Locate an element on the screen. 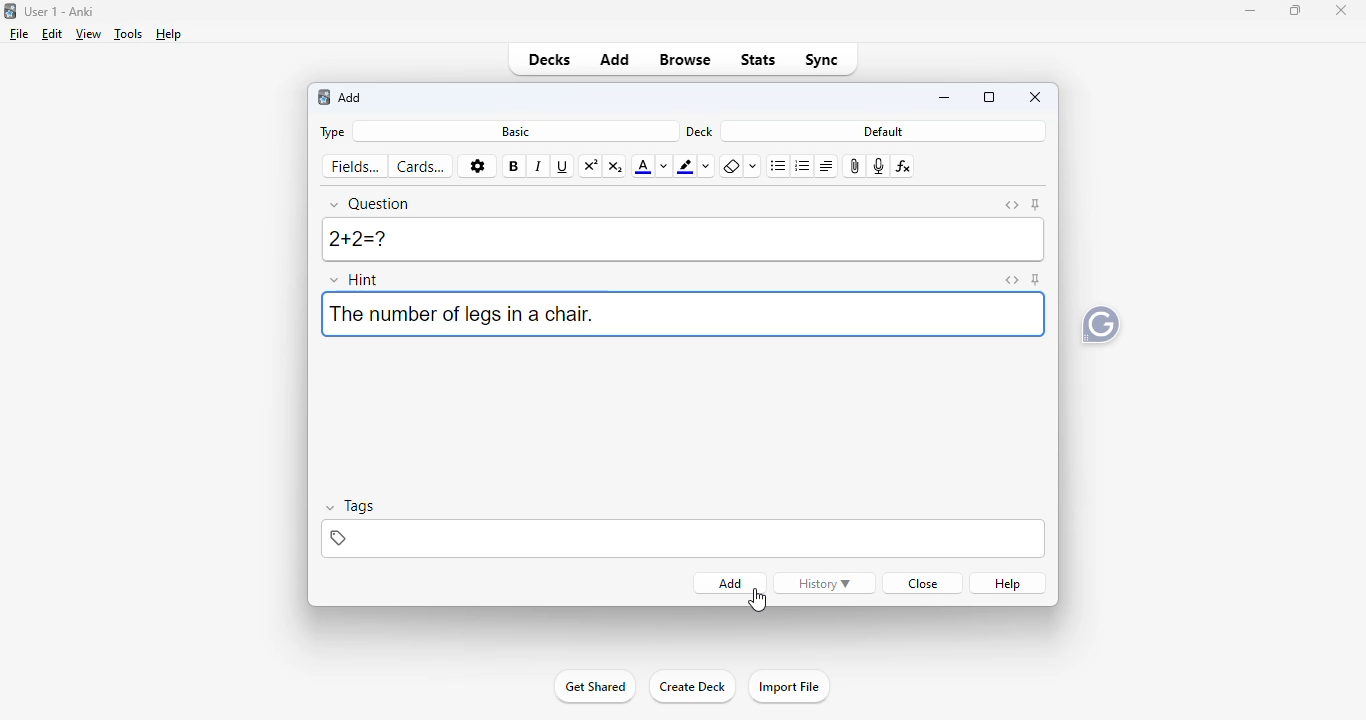  tags is located at coordinates (683, 539).